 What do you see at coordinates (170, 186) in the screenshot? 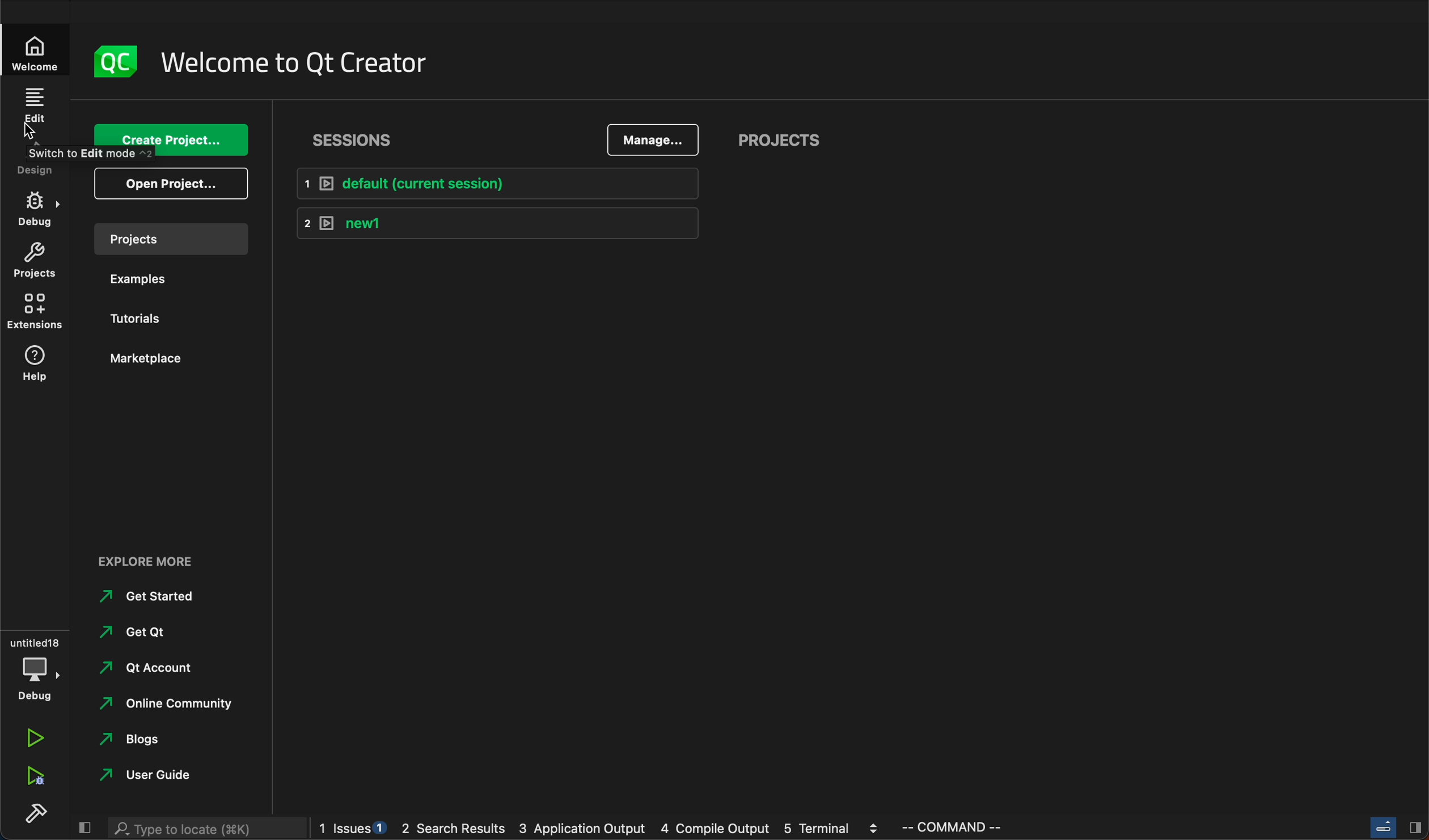
I see `open` at bounding box center [170, 186].